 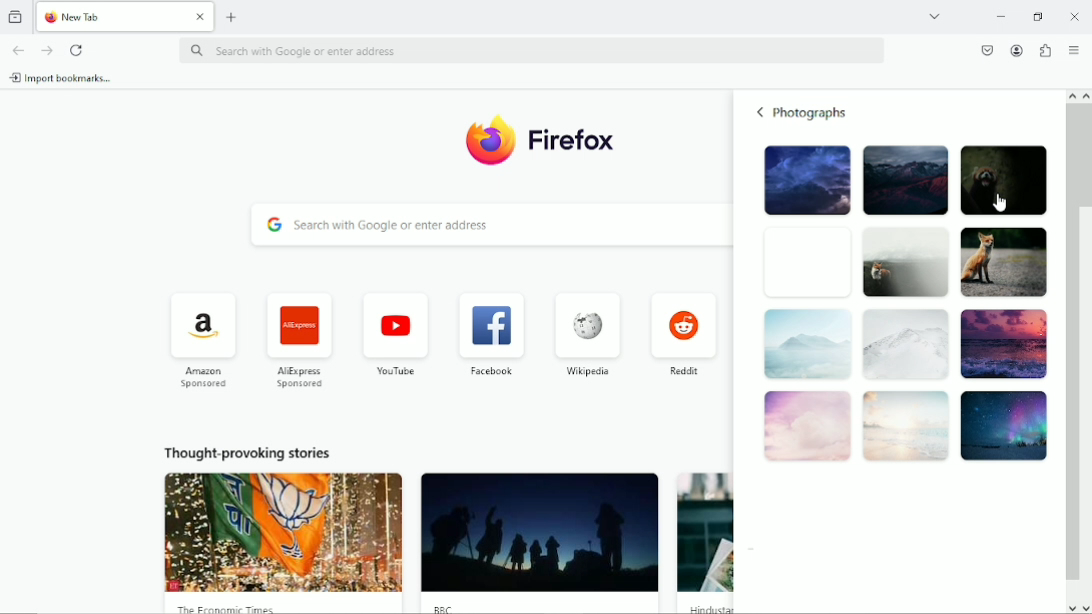 I want to click on Photograph, so click(x=804, y=181).